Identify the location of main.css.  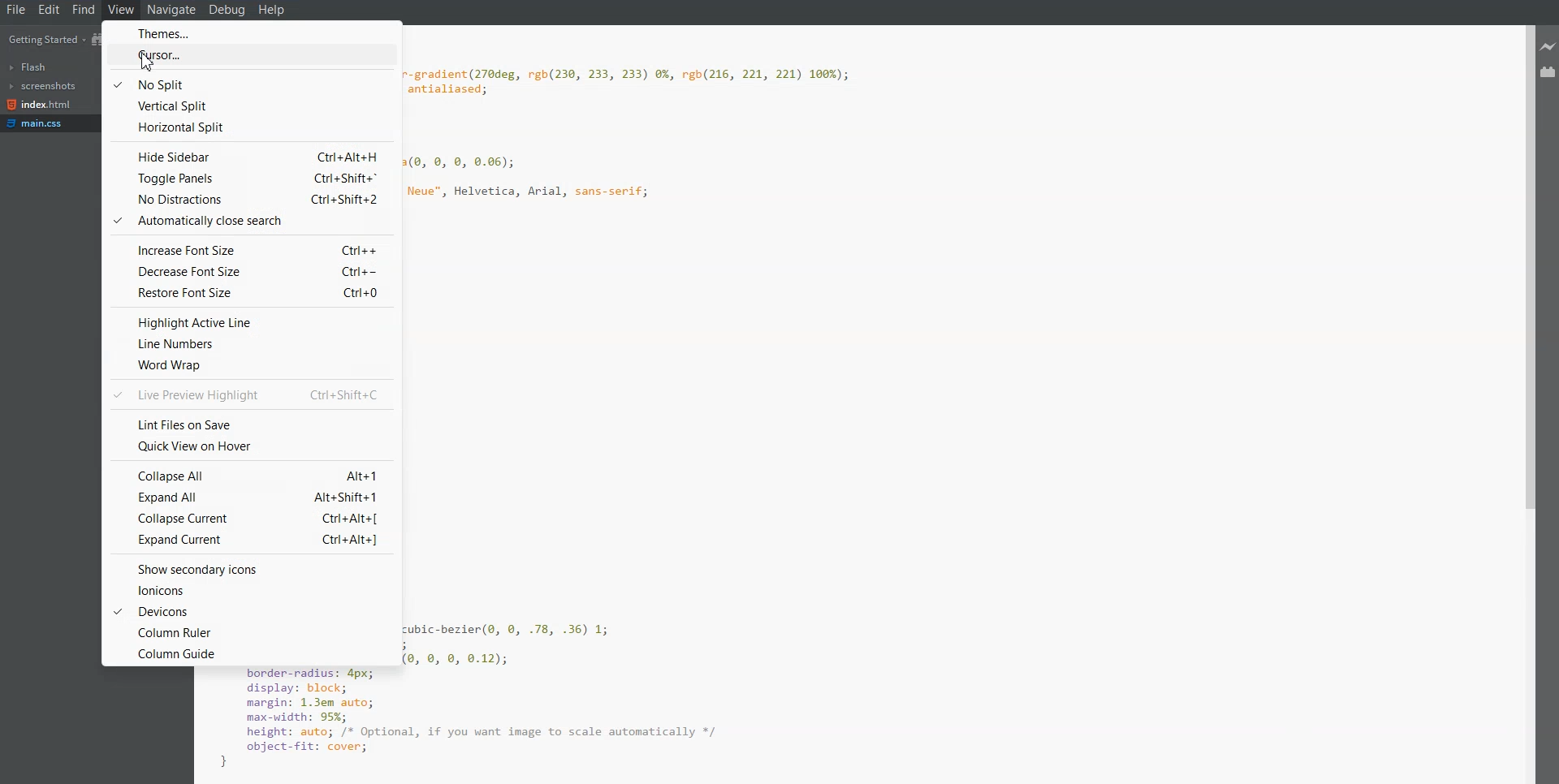
(40, 123).